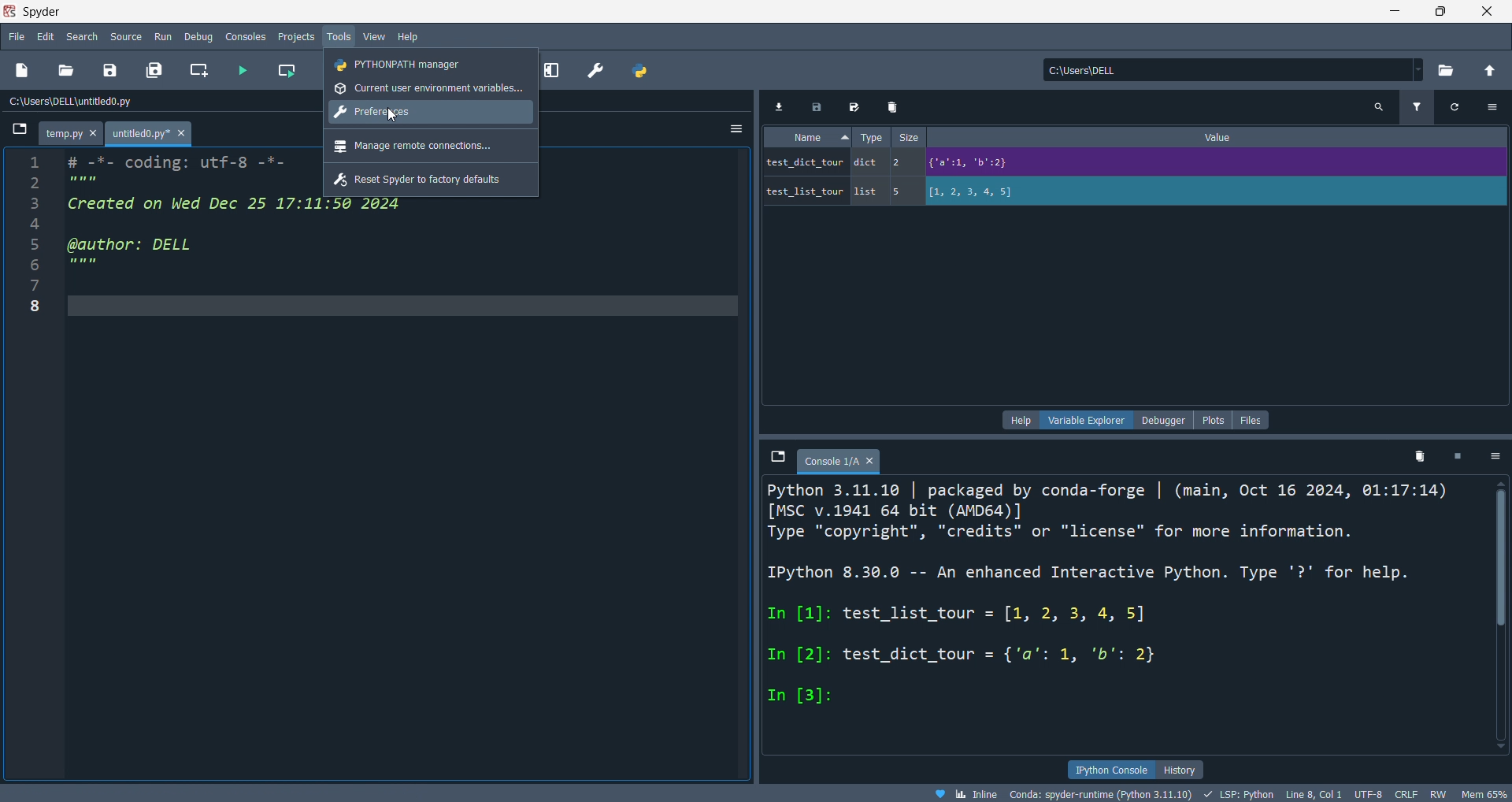 Image resolution: width=1512 pixels, height=802 pixels. Describe the element at coordinates (857, 108) in the screenshot. I see `save data as` at that location.